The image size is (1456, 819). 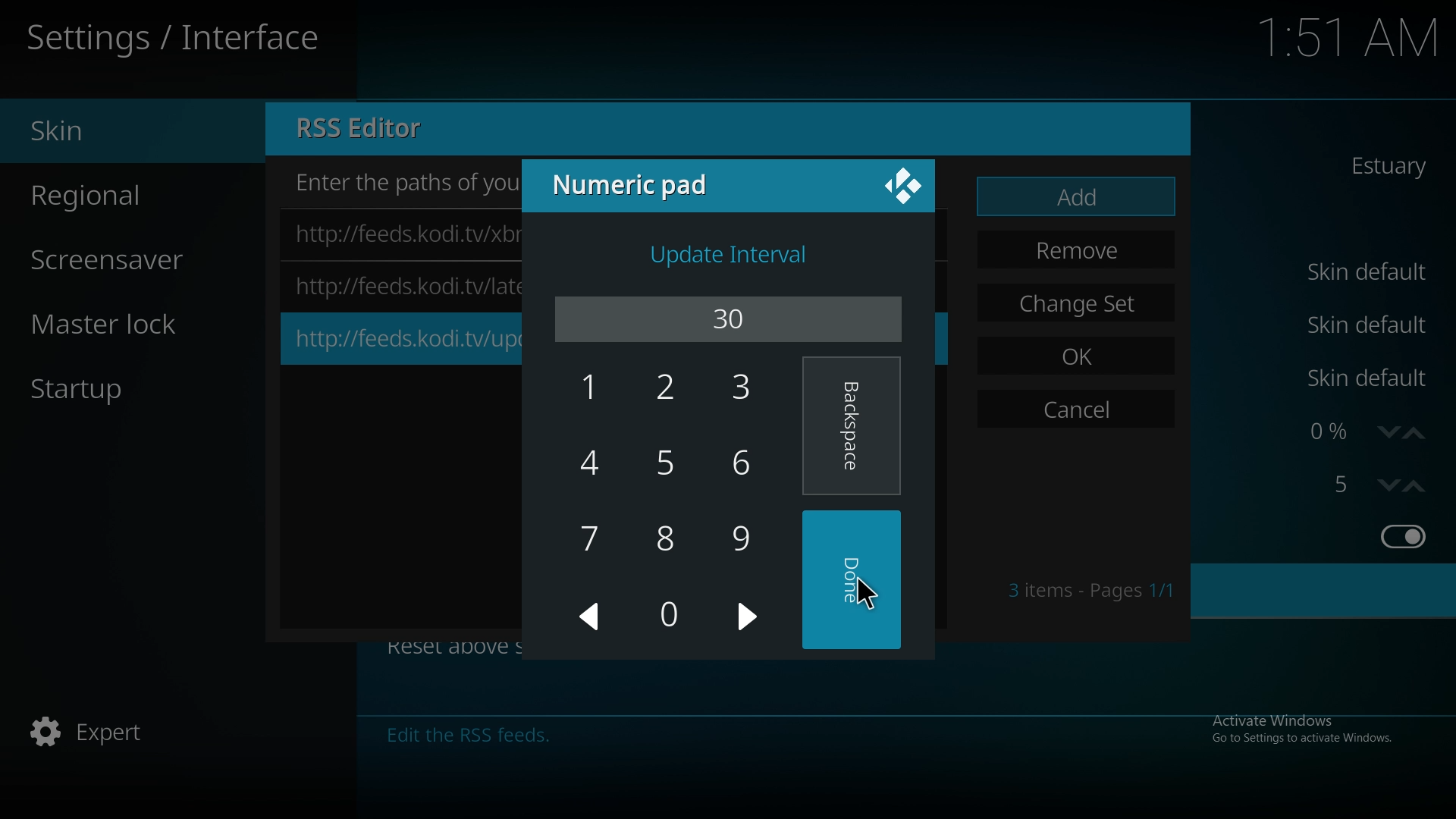 What do you see at coordinates (742, 464) in the screenshot?
I see `6` at bounding box center [742, 464].